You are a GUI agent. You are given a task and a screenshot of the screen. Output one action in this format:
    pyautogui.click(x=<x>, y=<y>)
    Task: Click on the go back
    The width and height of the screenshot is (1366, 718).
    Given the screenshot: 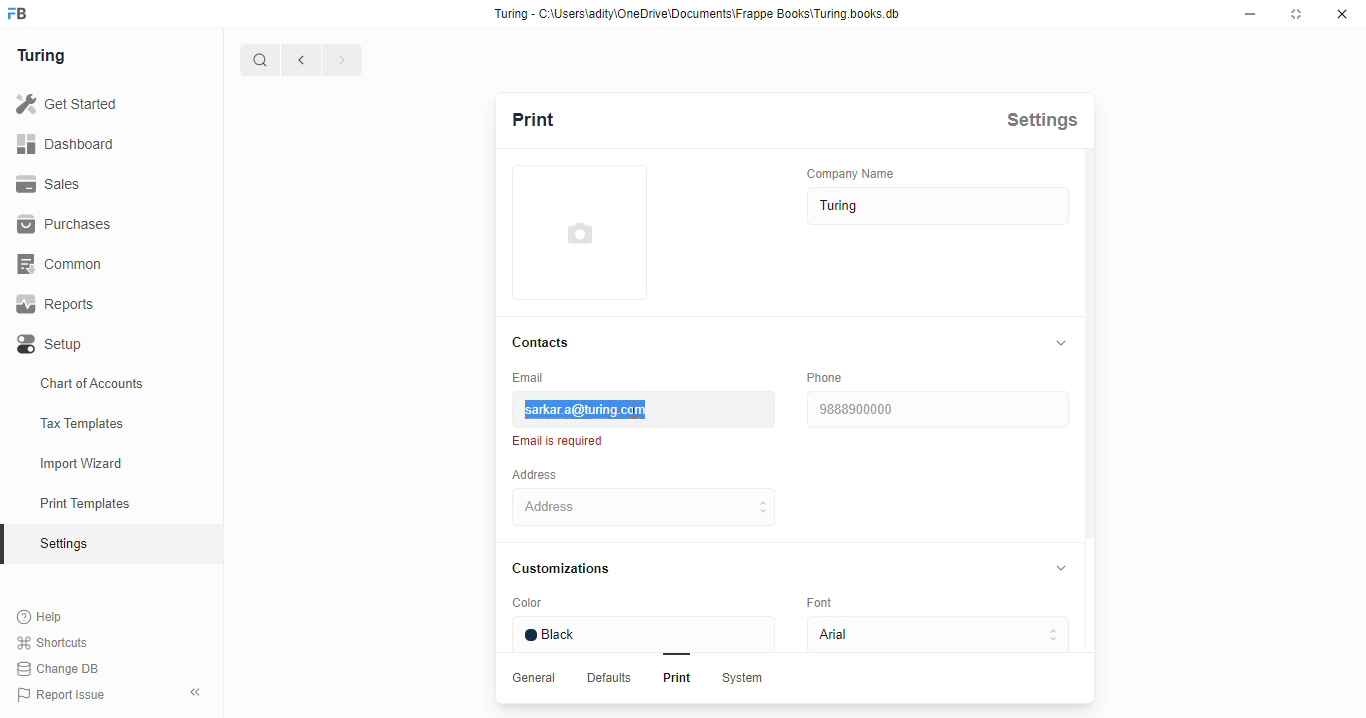 What is the action you would take?
    pyautogui.click(x=301, y=58)
    